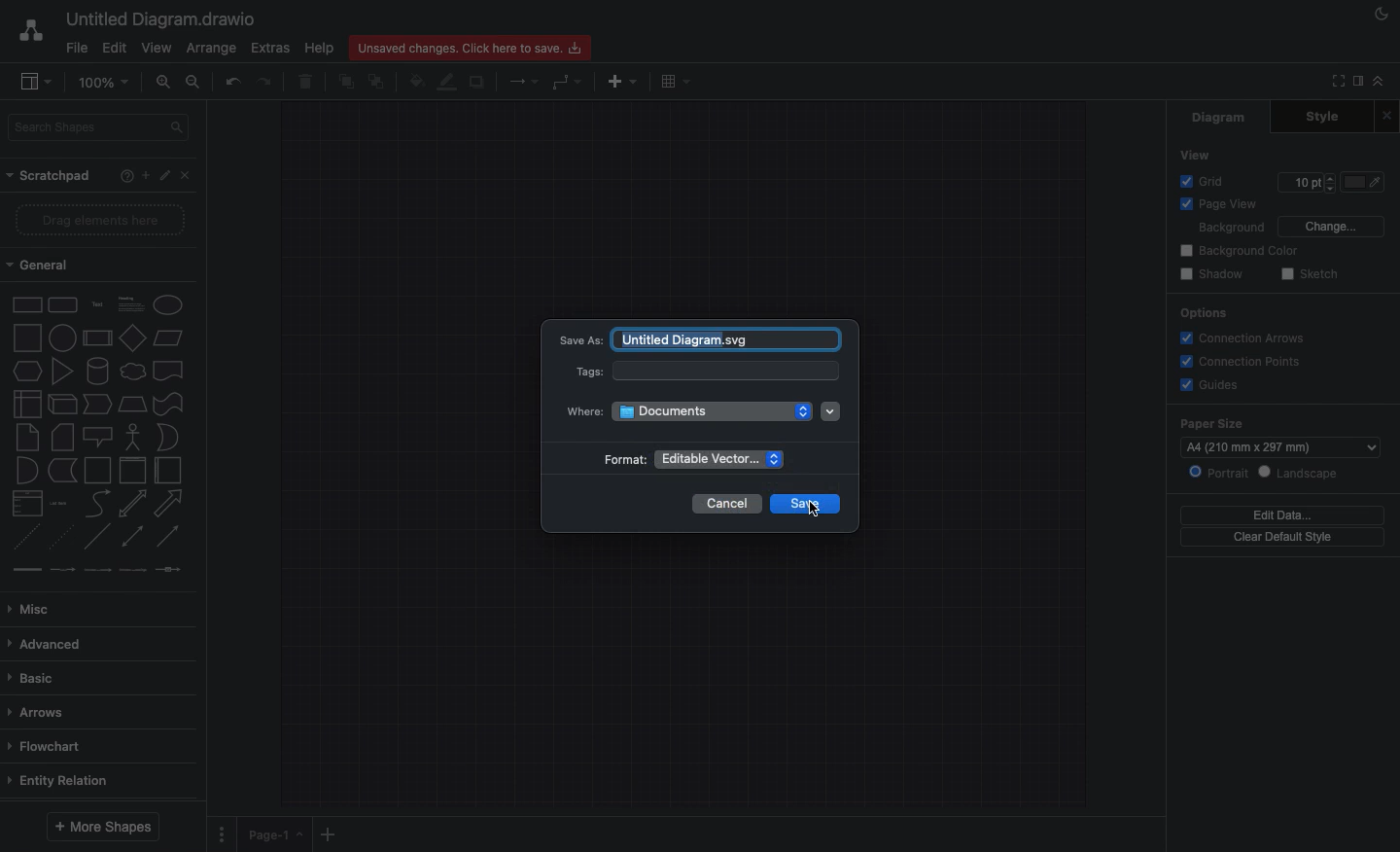  I want to click on Insert, so click(620, 83).